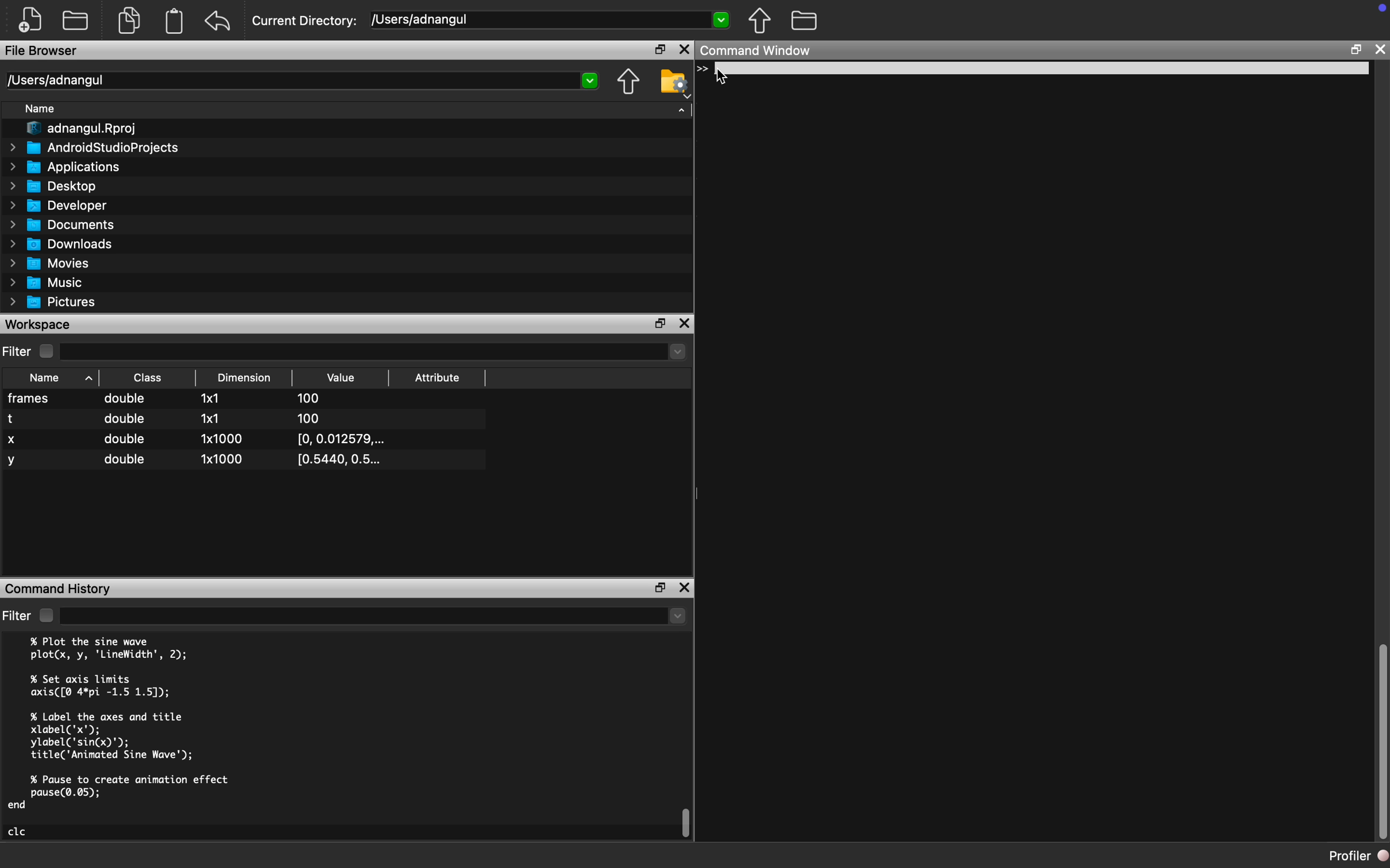 This screenshot has height=868, width=1390. What do you see at coordinates (685, 323) in the screenshot?
I see `Close` at bounding box center [685, 323].